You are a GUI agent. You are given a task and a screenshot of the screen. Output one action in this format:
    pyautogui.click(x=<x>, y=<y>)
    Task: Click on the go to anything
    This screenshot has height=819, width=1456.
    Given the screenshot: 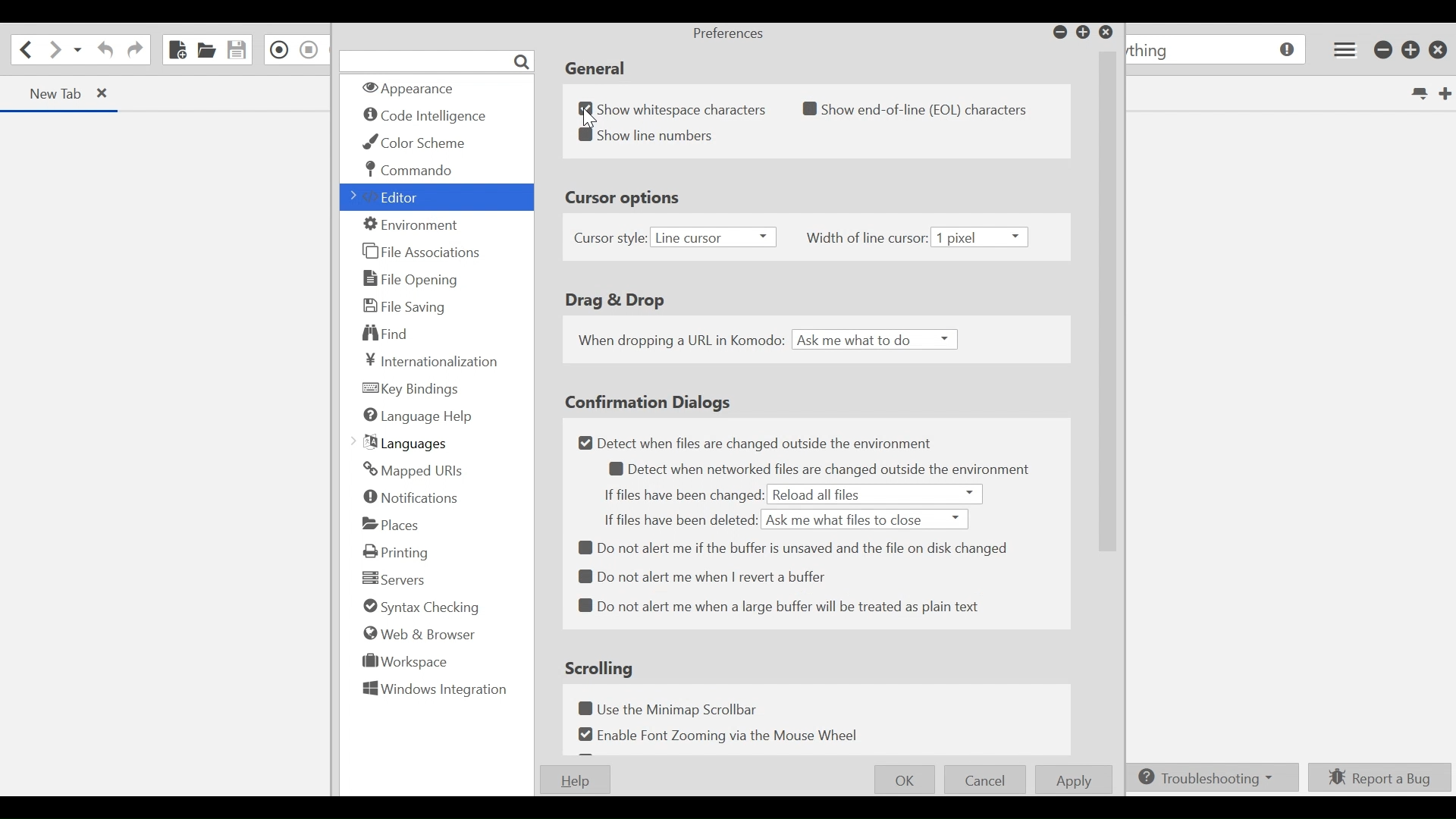 What is the action you would take?
    pyautogui.click(x=1214, y=50)
    